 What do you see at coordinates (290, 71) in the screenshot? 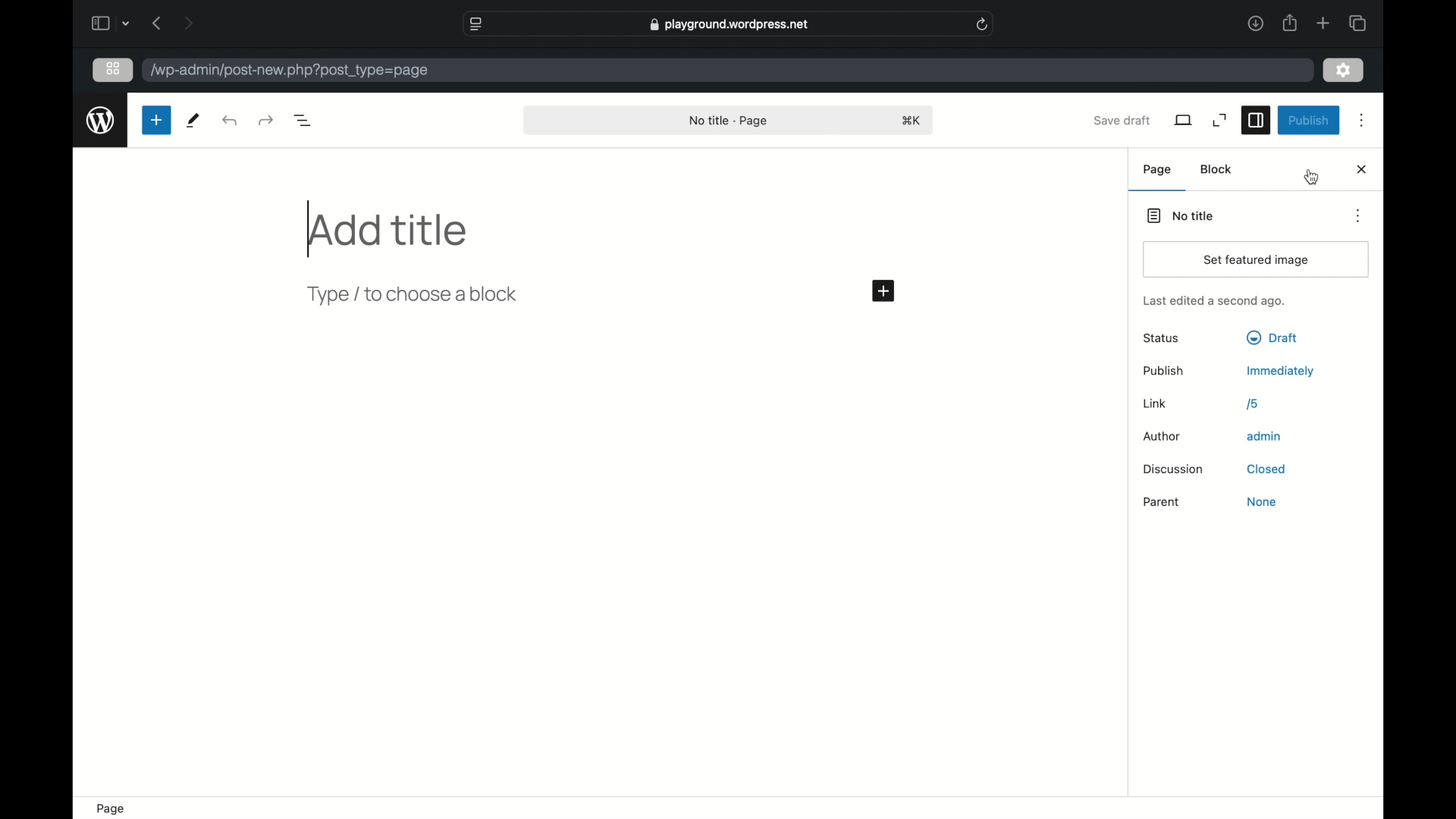
I see `web address` at bounding box center [290, 71].